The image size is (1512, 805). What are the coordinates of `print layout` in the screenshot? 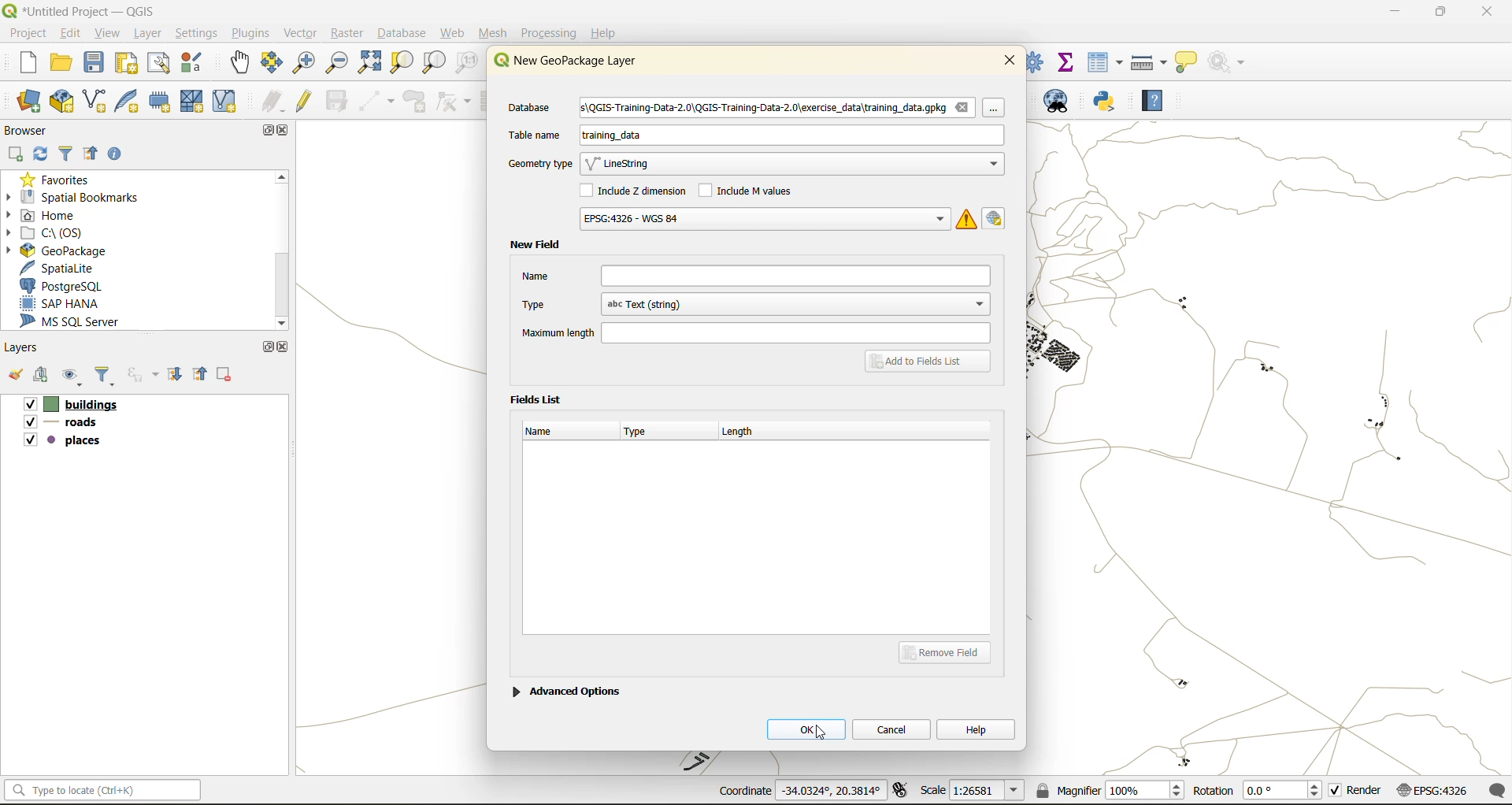 It's located at (128, 65).